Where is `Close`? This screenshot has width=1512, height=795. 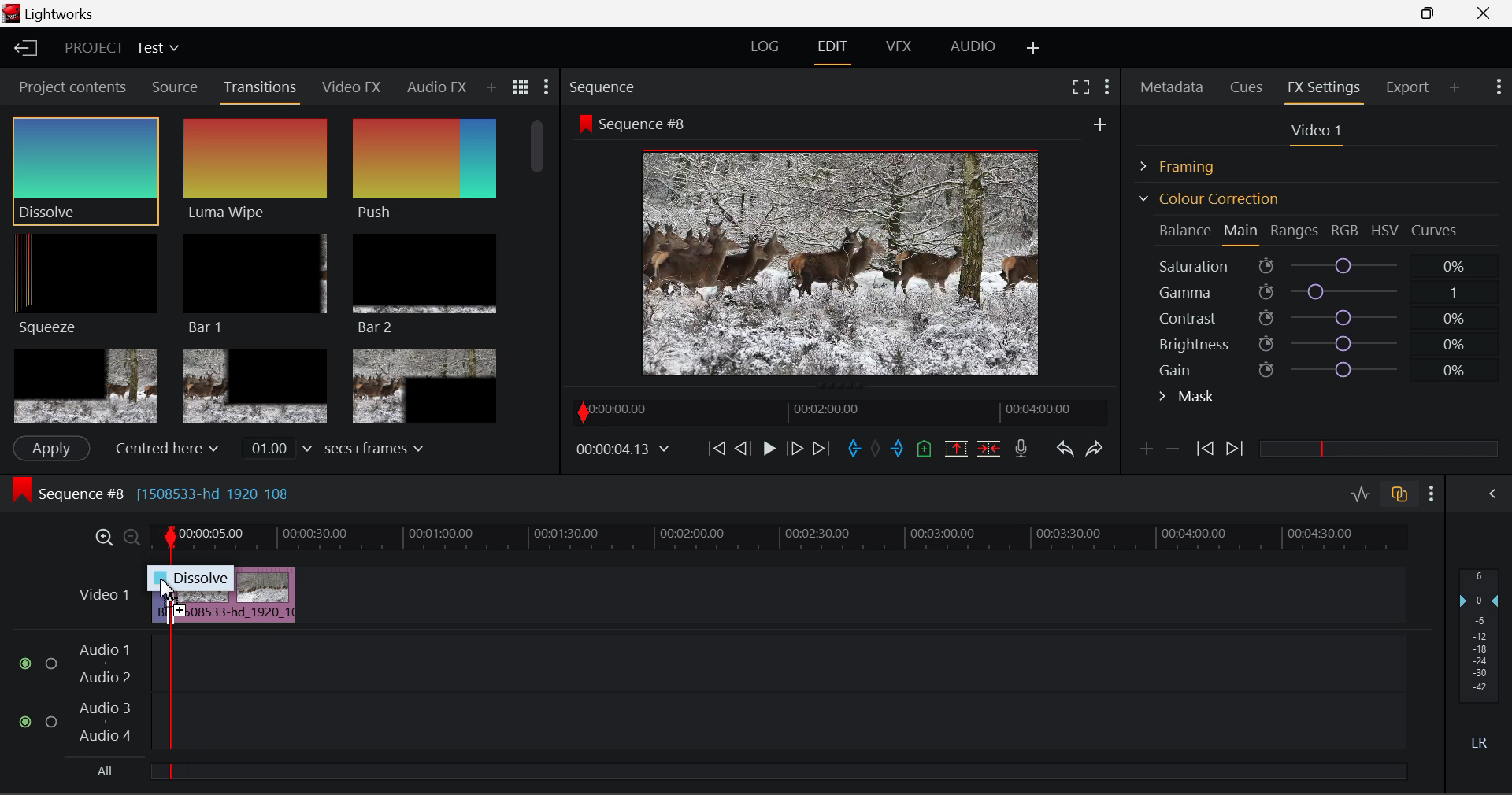
Close is located at coordinates (1487, 13).